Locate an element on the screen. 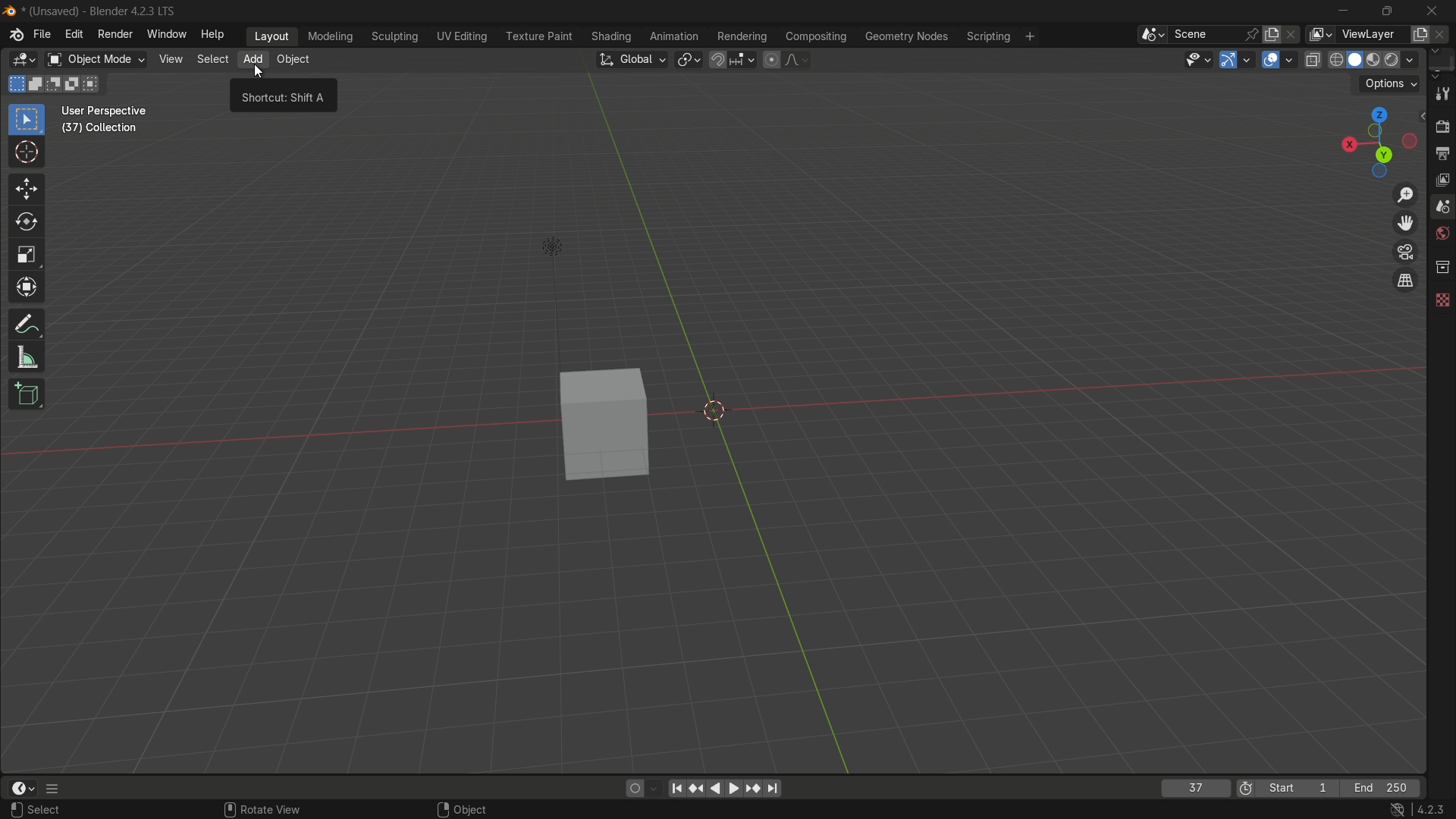  select is located at coordinates (45, 813).